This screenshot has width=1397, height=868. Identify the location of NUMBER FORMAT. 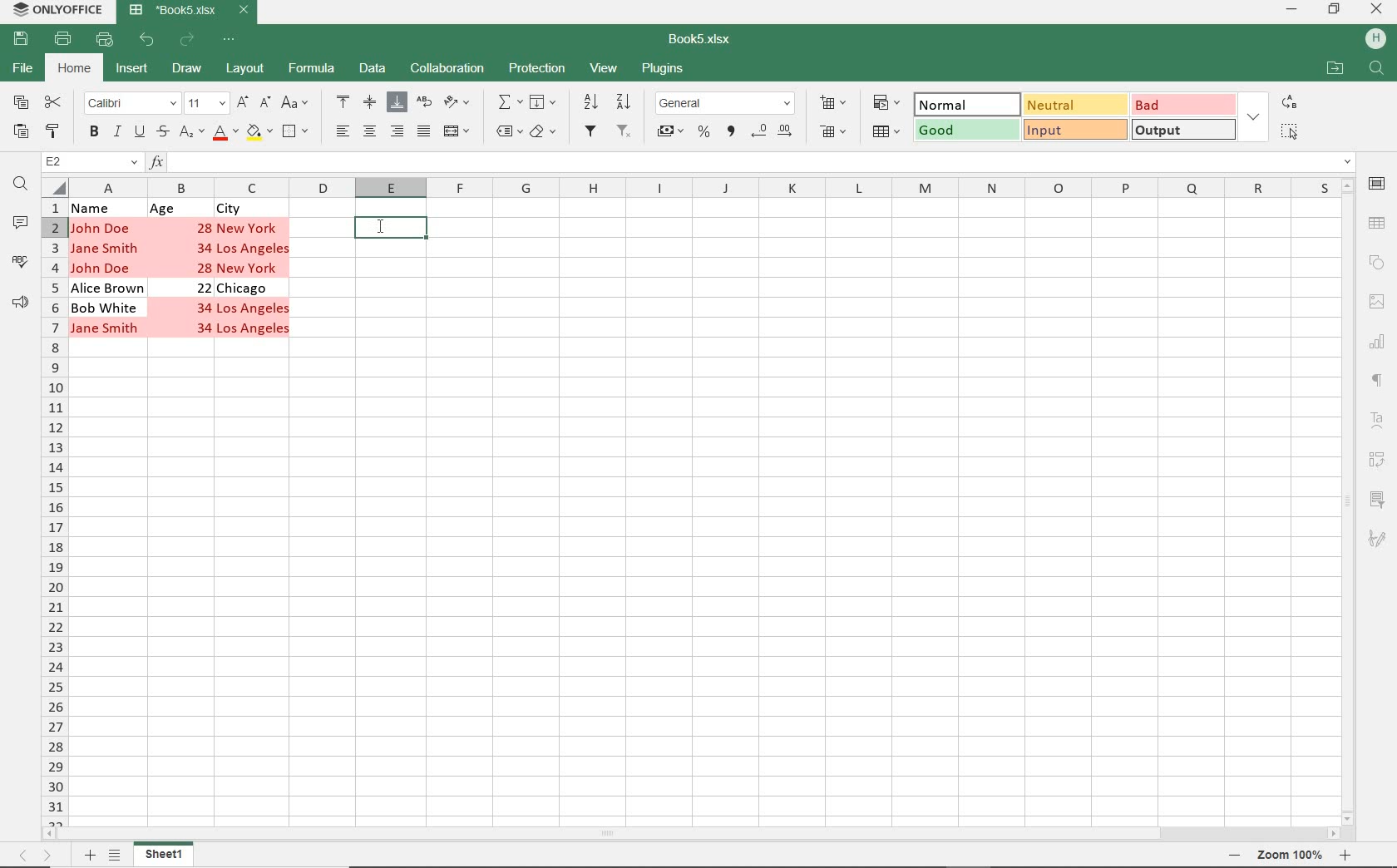
(725, 106).